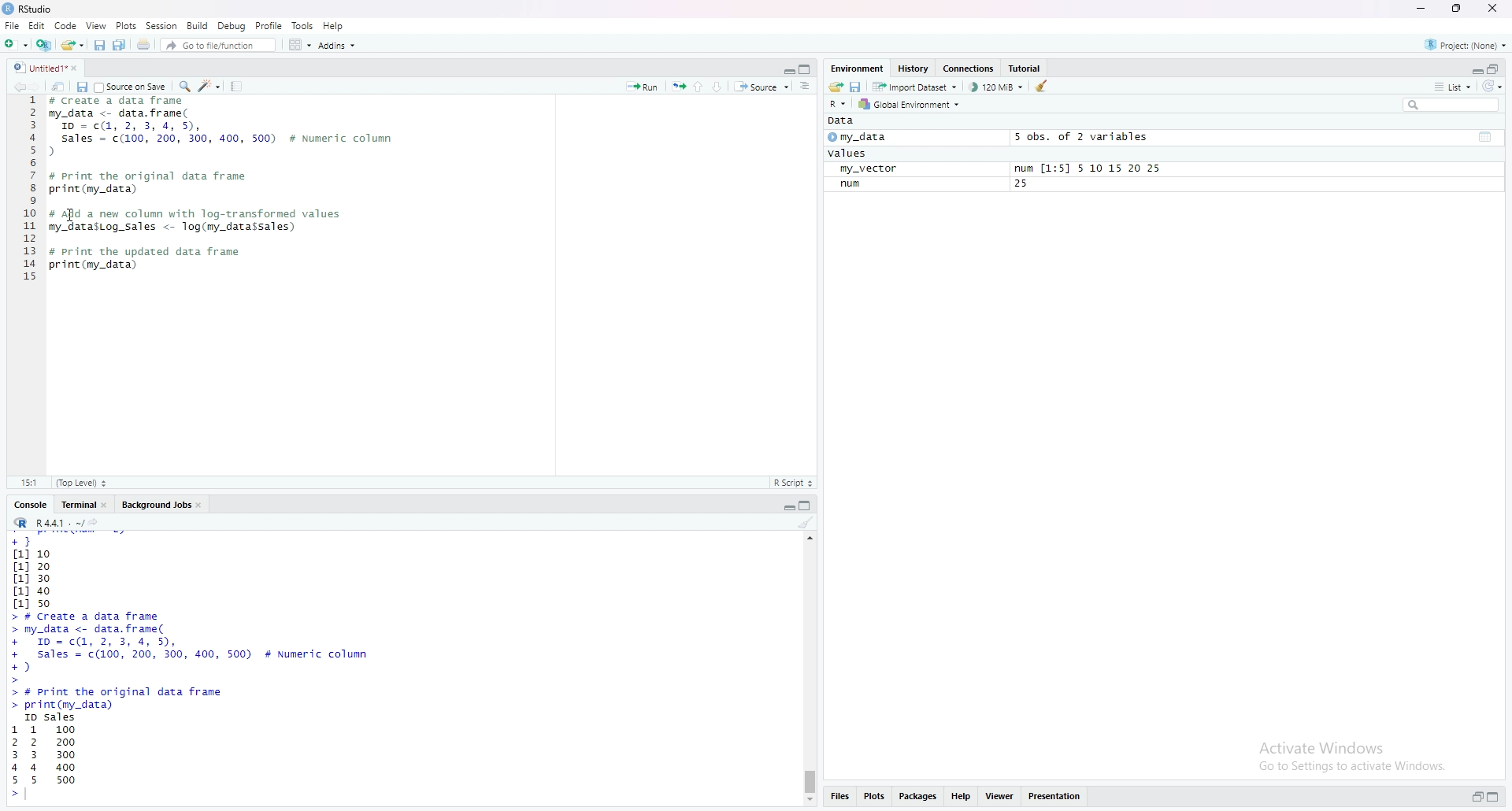 Image resolution: width=1512 pixels, height=811 pixels. I want to click on go to file/function, so click(218, 46).